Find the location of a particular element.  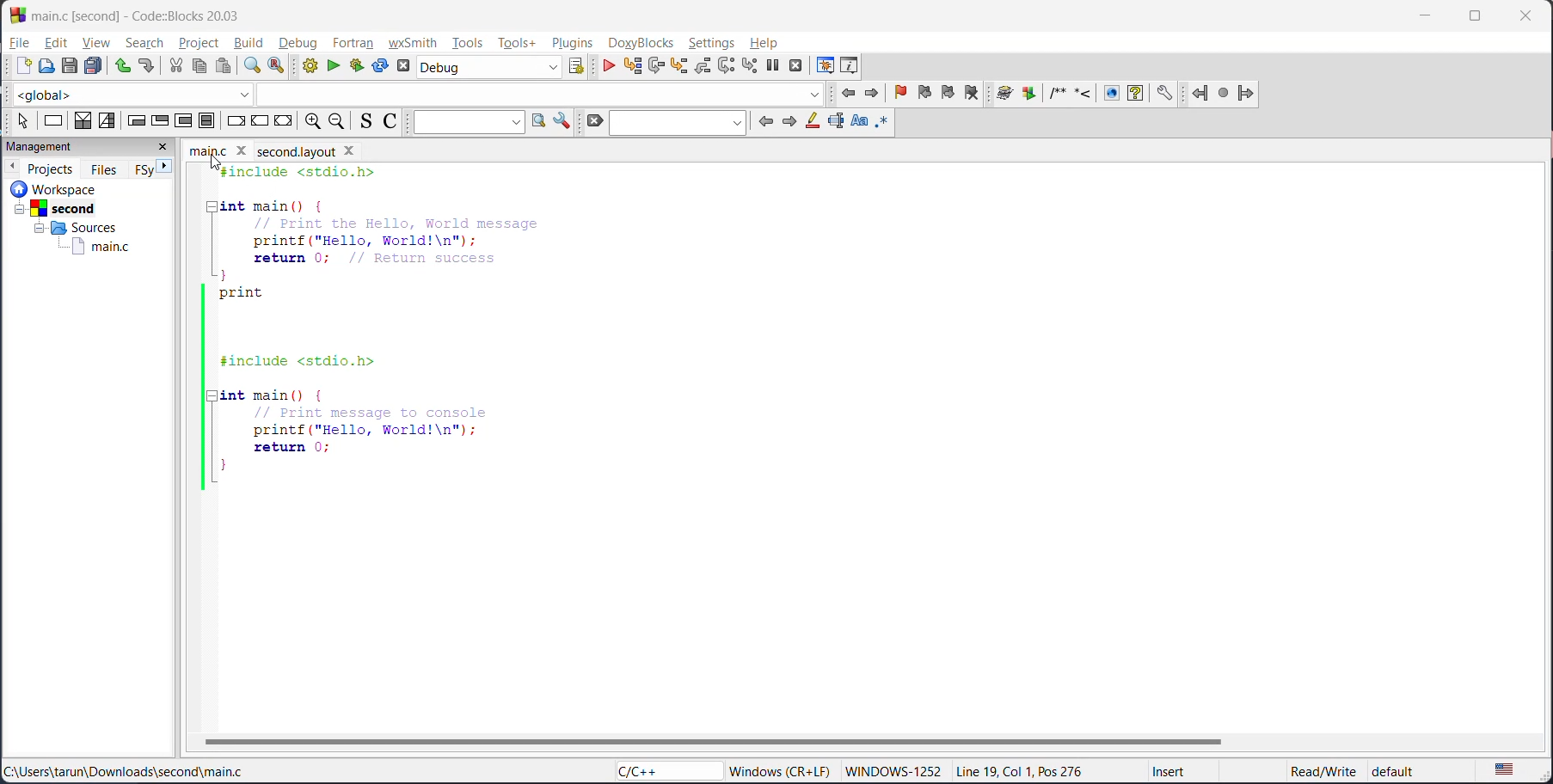

edit is located at coordinates (60, 41).